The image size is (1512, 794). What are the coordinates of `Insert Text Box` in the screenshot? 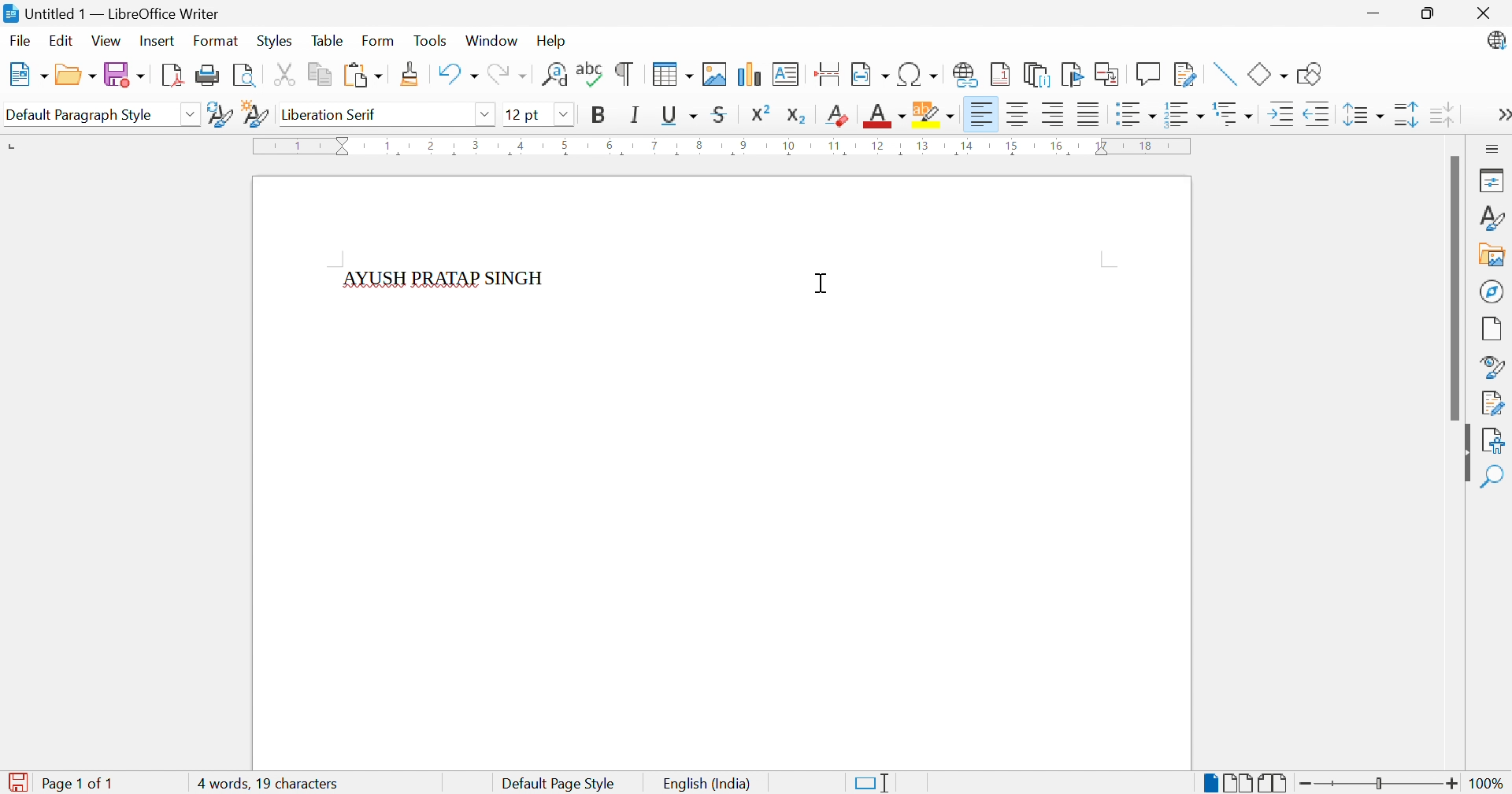 It's located at (787, 73).